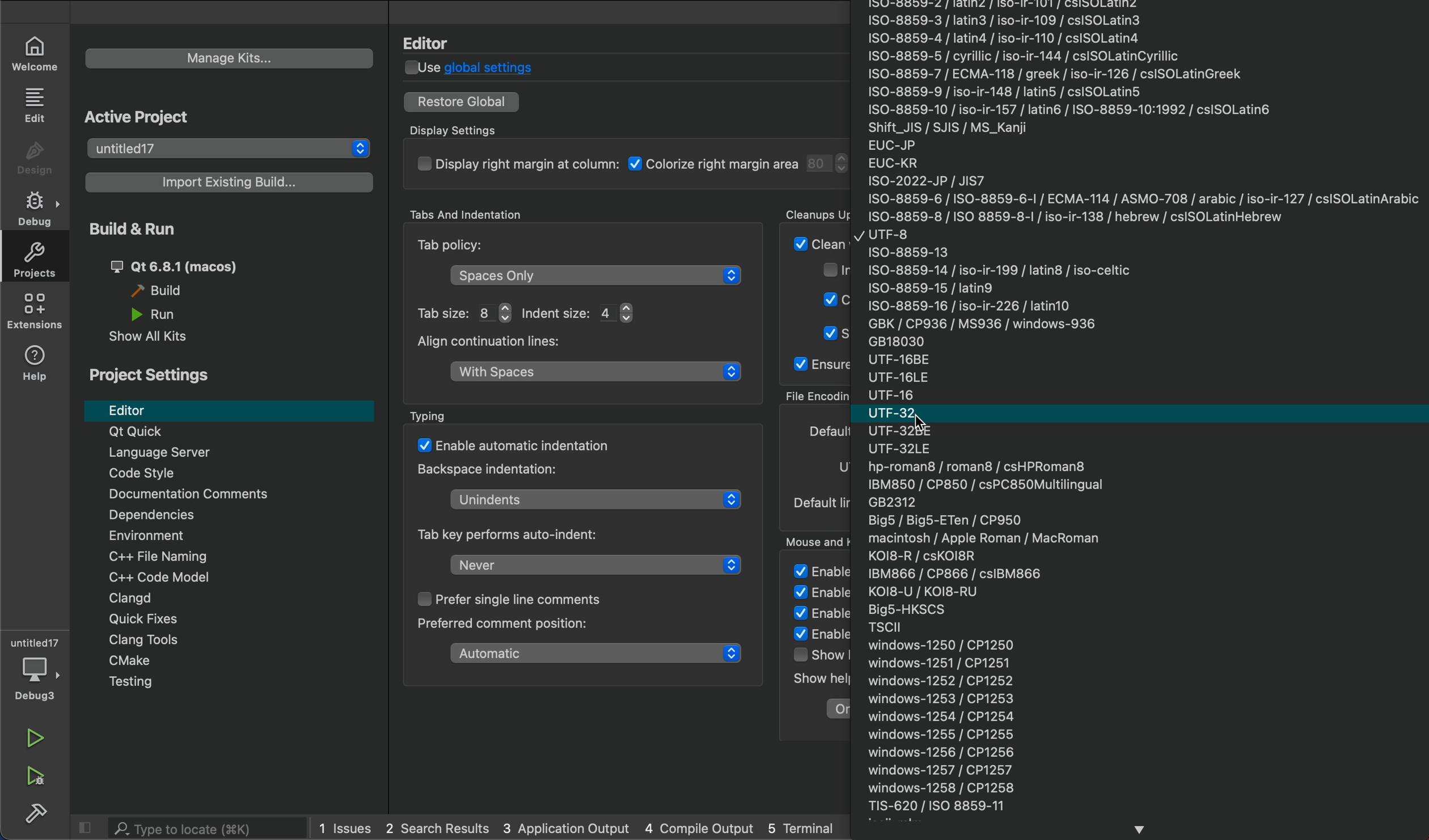  Describe the element at coordinates (521, 534) in the screenshot. I see `Tab key perform auto-indent` at that location.